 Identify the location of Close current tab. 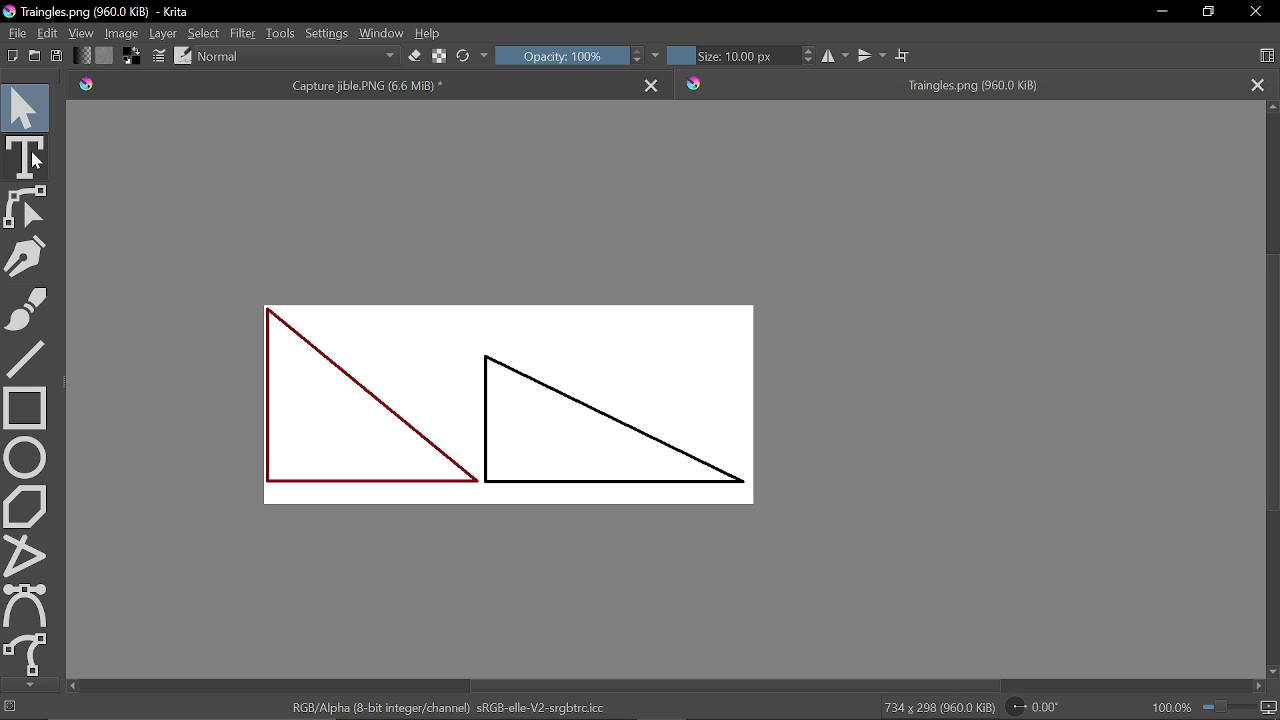
(654, 83).